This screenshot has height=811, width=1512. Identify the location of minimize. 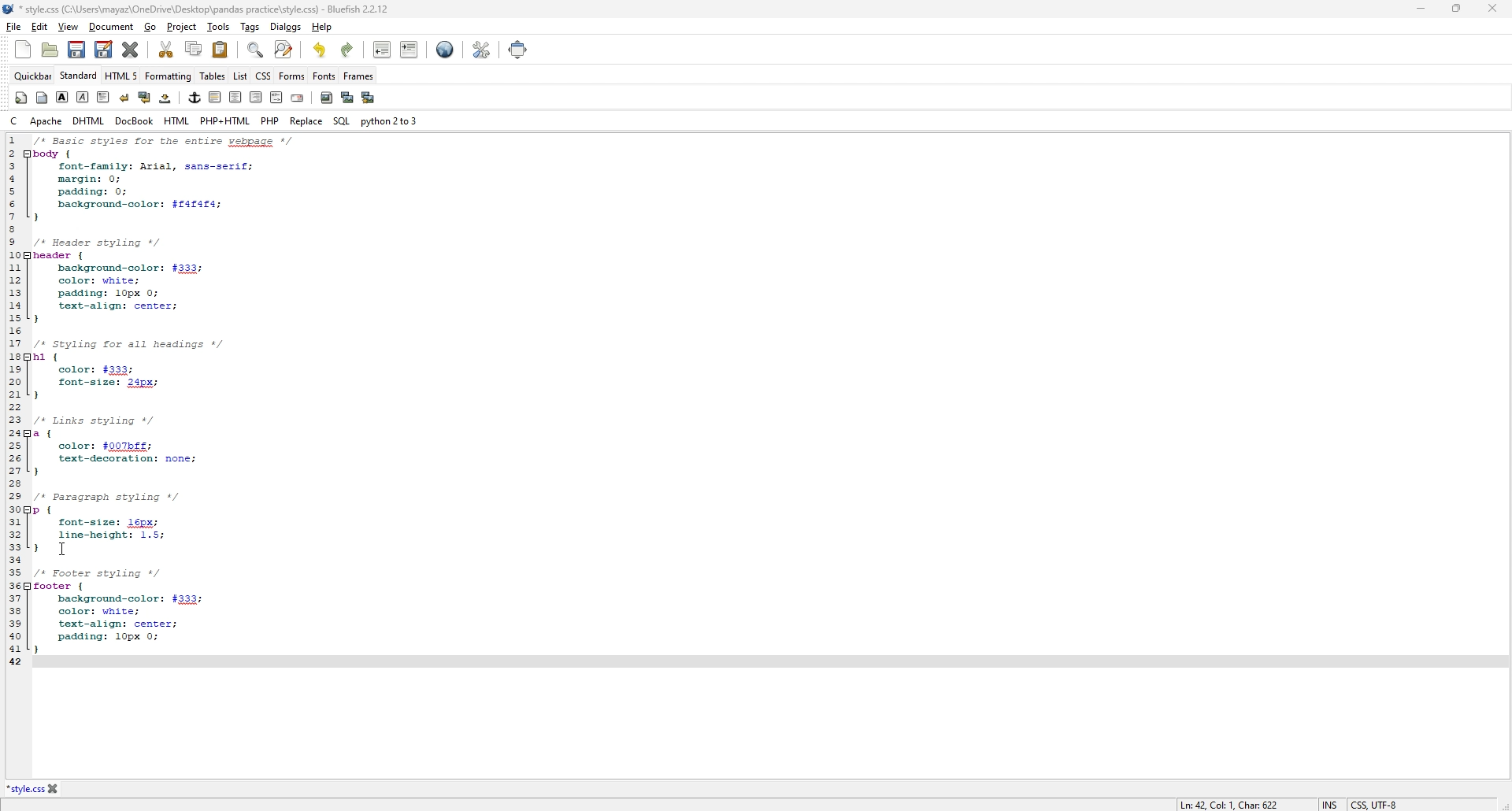
(1420, 9).